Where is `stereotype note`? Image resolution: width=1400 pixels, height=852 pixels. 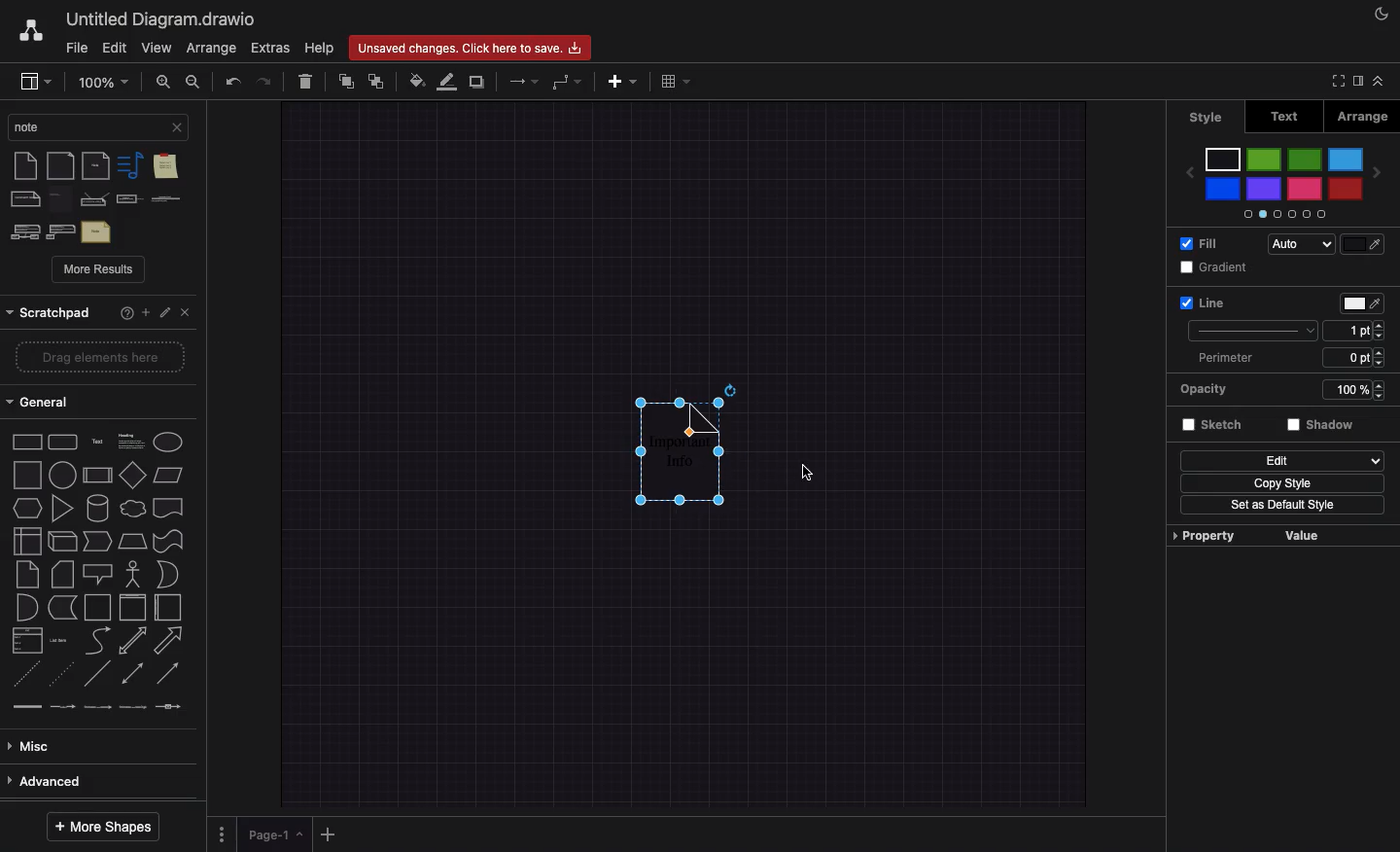 stereotype note is located at coordinates (61, 231).